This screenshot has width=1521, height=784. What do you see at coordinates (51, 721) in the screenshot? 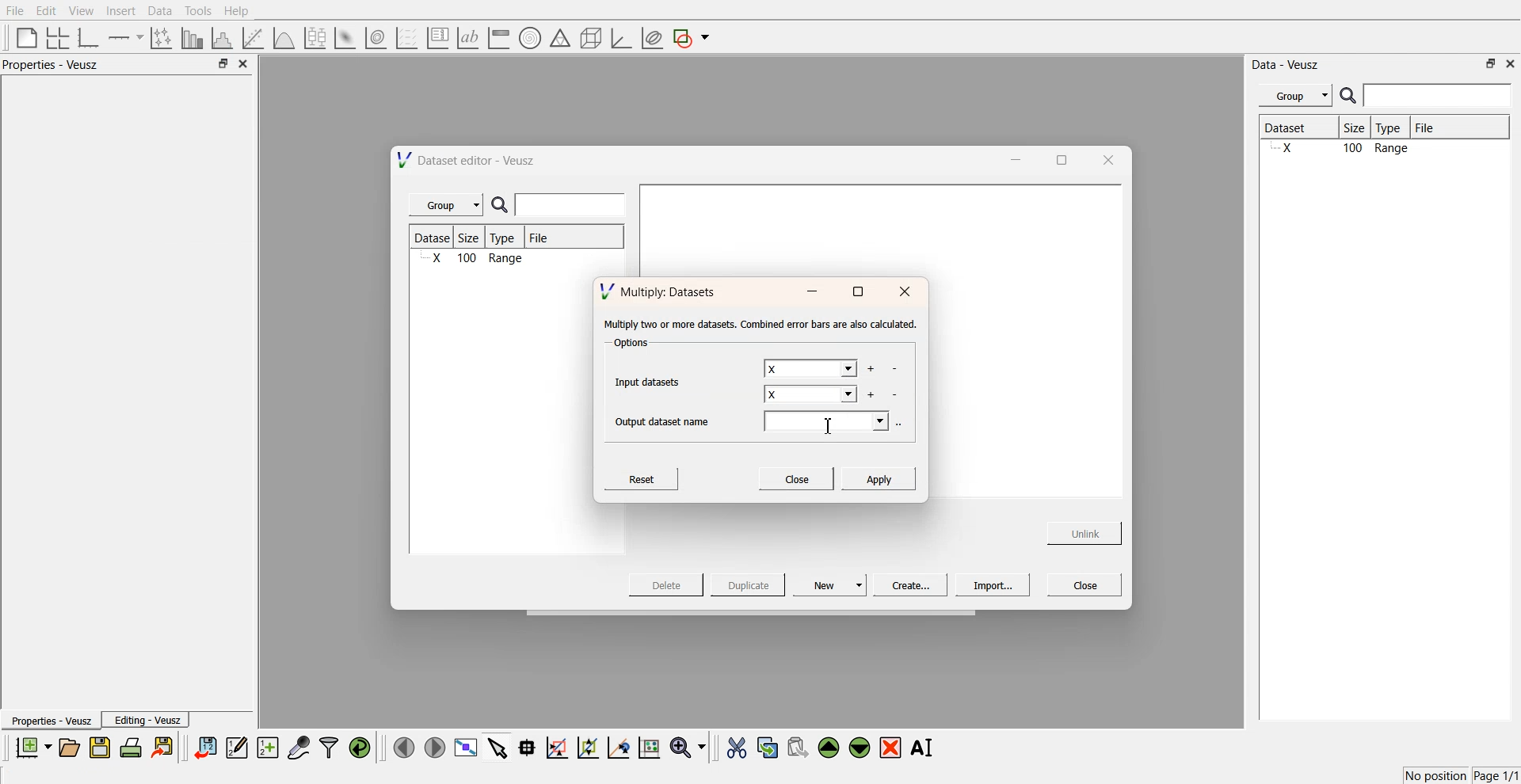
I see `Properties - Veusz` at bounding box center [51, 721].